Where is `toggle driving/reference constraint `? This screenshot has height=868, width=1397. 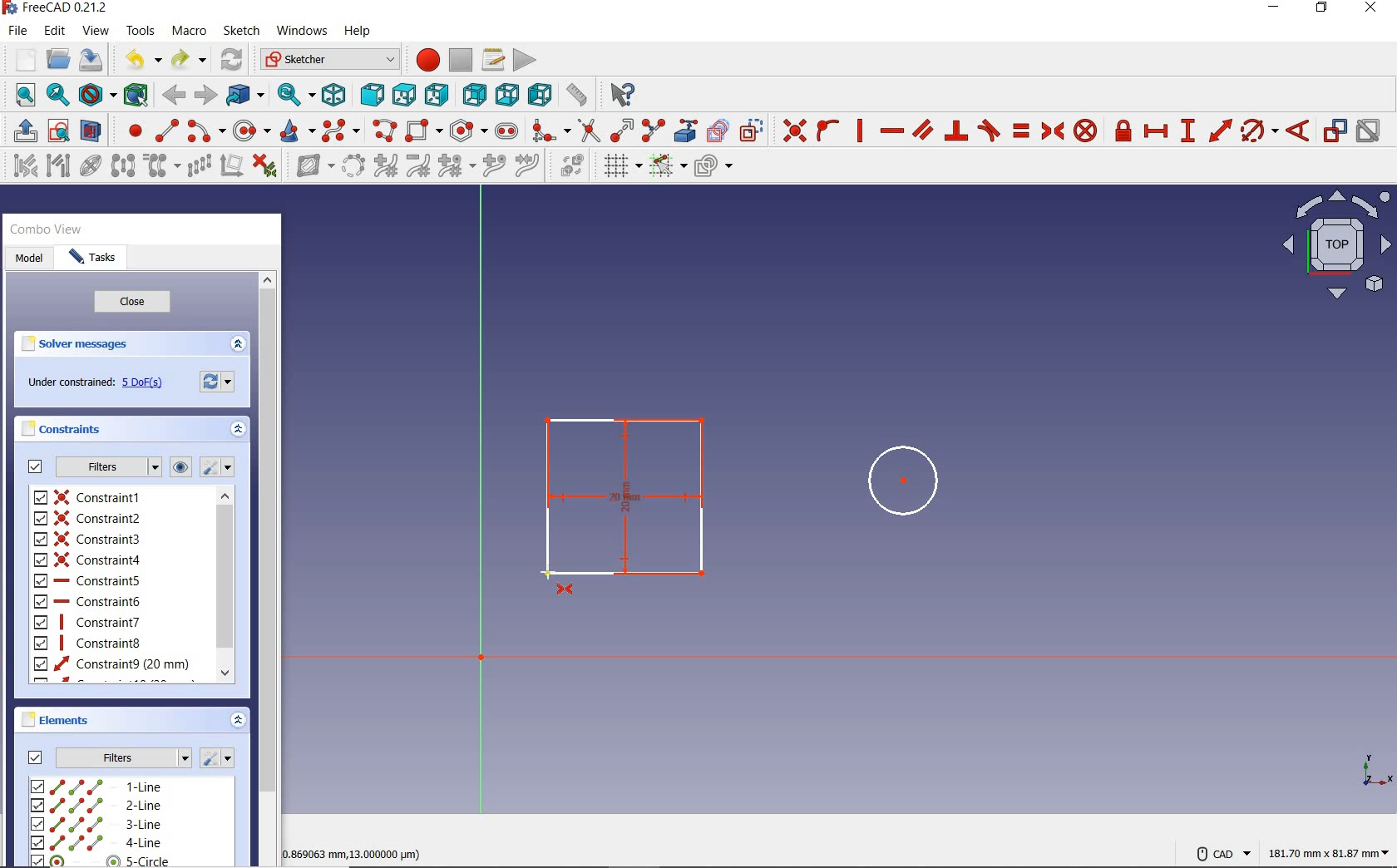
toggle driving/reference constraint  is located at coordinates (1335, 131).